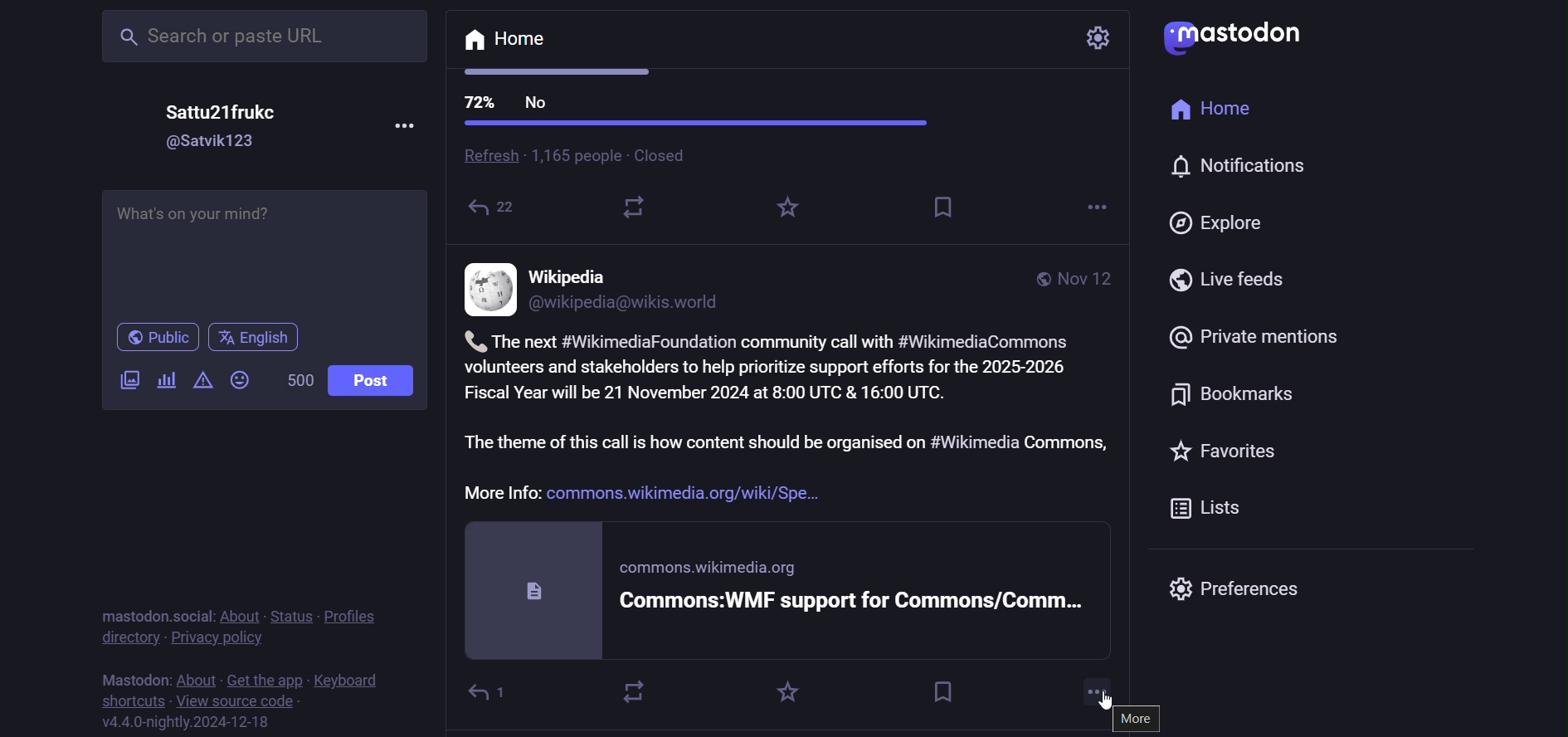  Describe the element at coordinates (1110, 703) in the screenshot. I see `` at that location.